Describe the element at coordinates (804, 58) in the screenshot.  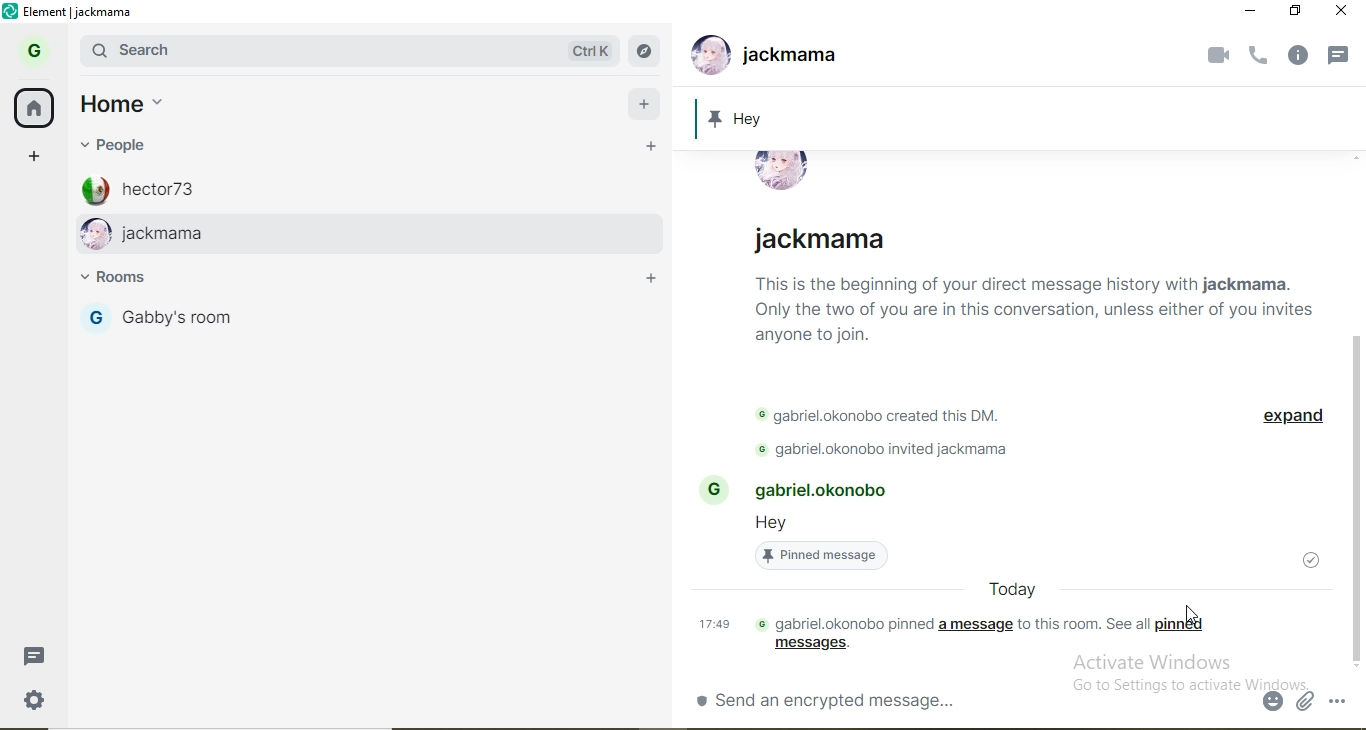
I see `` at that location.